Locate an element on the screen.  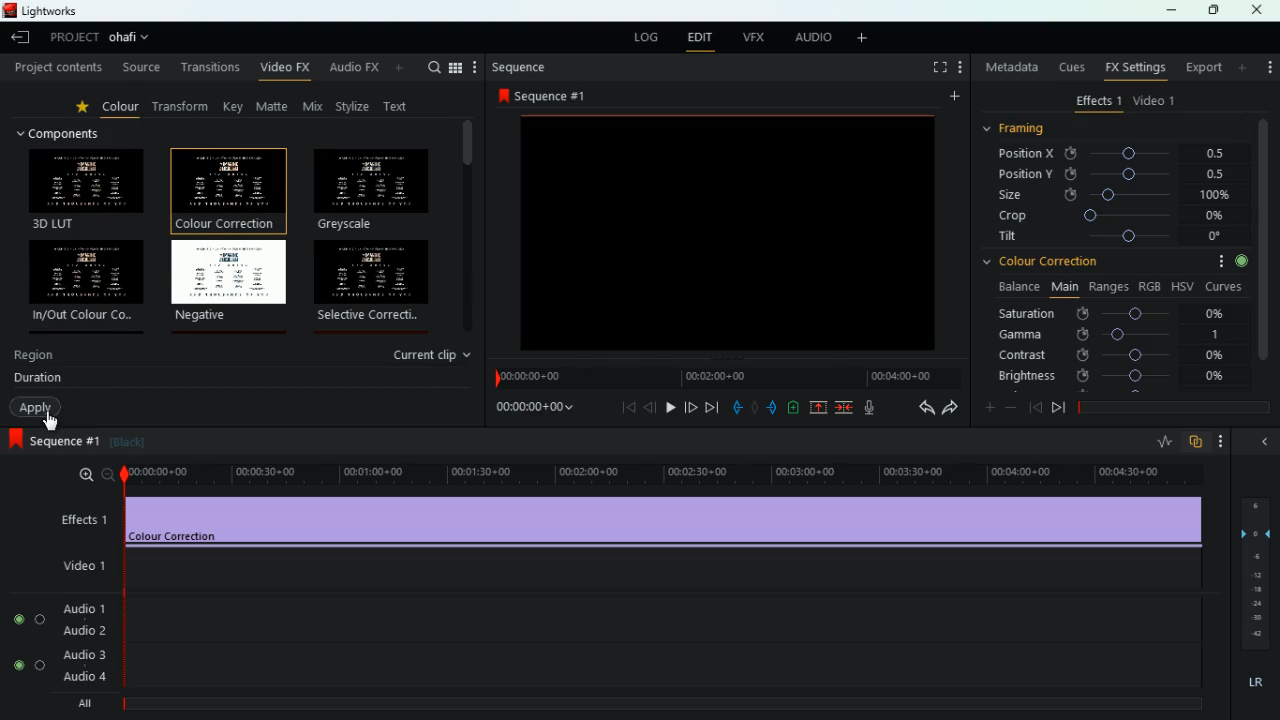
video 1 is located at coordinates (85, 567).